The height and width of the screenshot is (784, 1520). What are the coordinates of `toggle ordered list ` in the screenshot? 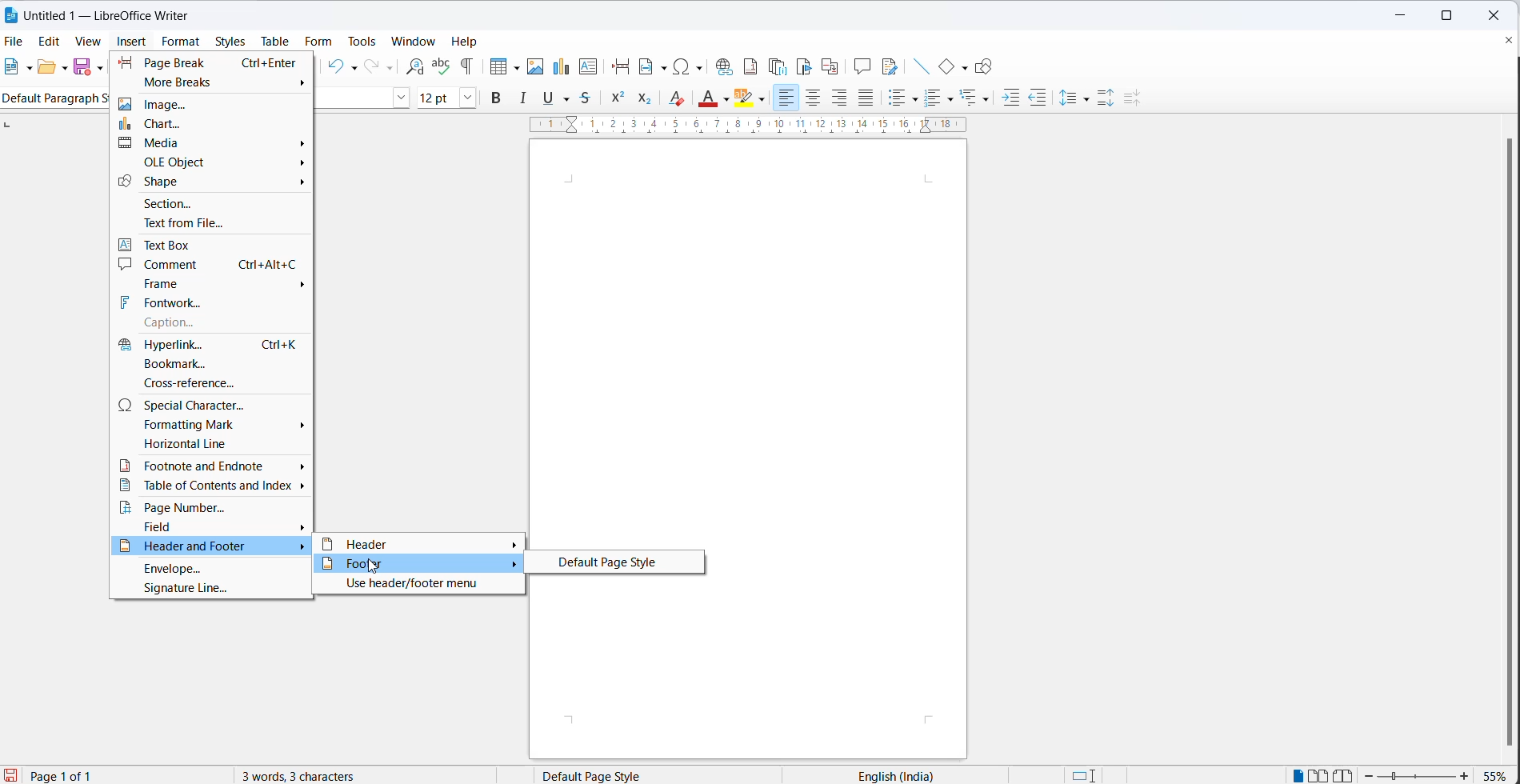 It's located at (951, 99).